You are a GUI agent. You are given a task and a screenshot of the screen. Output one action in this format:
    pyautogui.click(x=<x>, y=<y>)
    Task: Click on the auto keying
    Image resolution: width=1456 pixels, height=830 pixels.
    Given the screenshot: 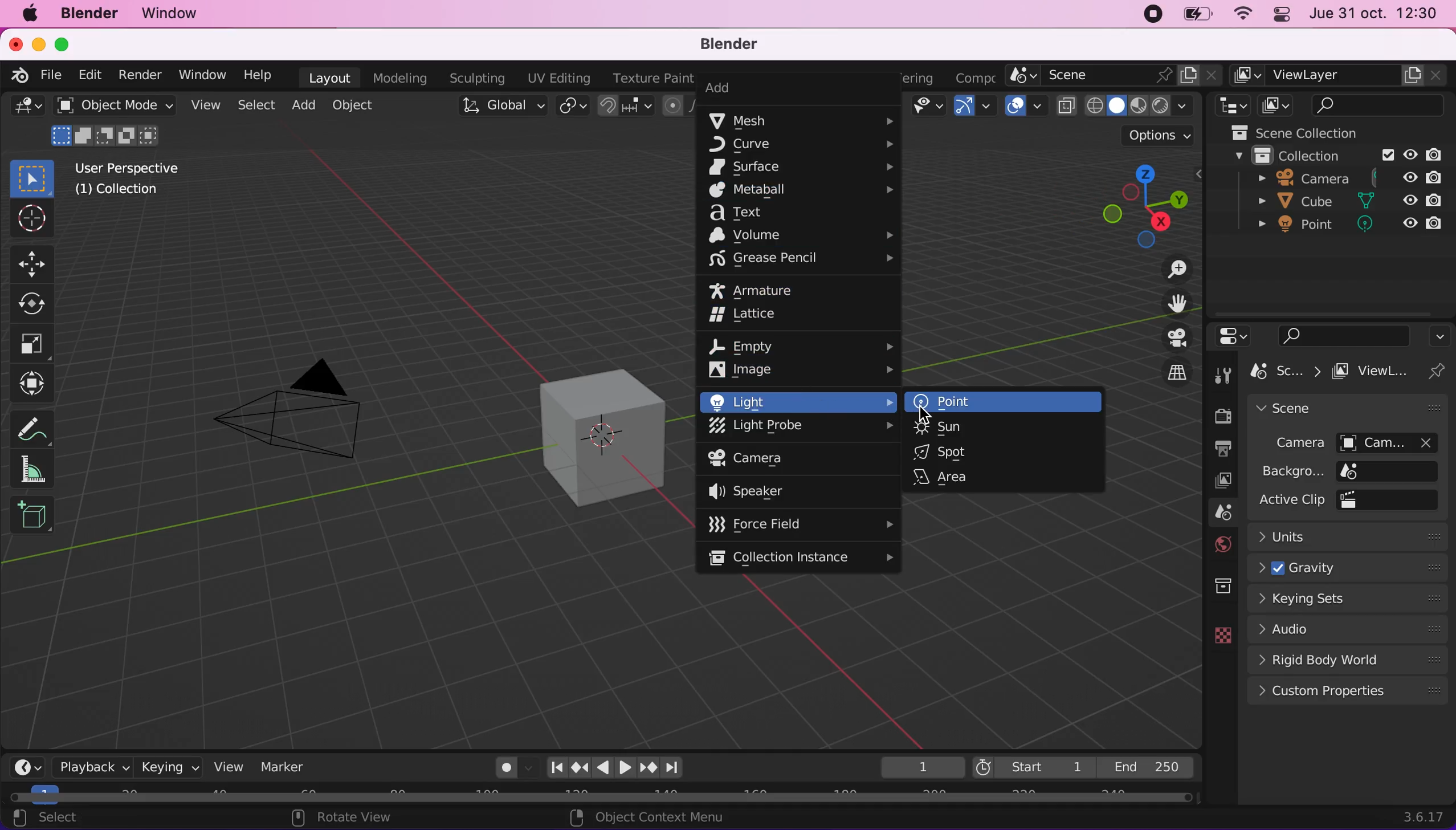 What is the action you would take?
    pyautogui.click(x=500, y=765)
    